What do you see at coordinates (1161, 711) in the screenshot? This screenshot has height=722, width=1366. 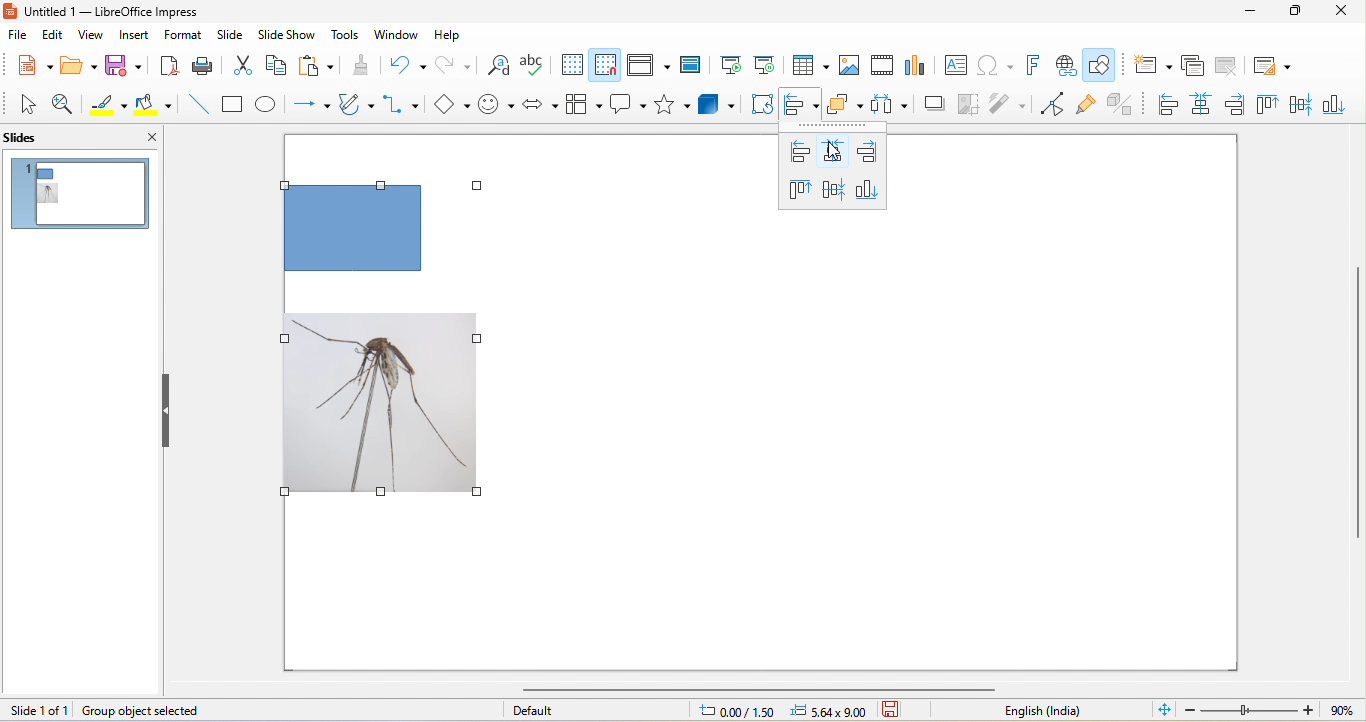 I see `fit slide to current window` at bounding box center [1161, 711].